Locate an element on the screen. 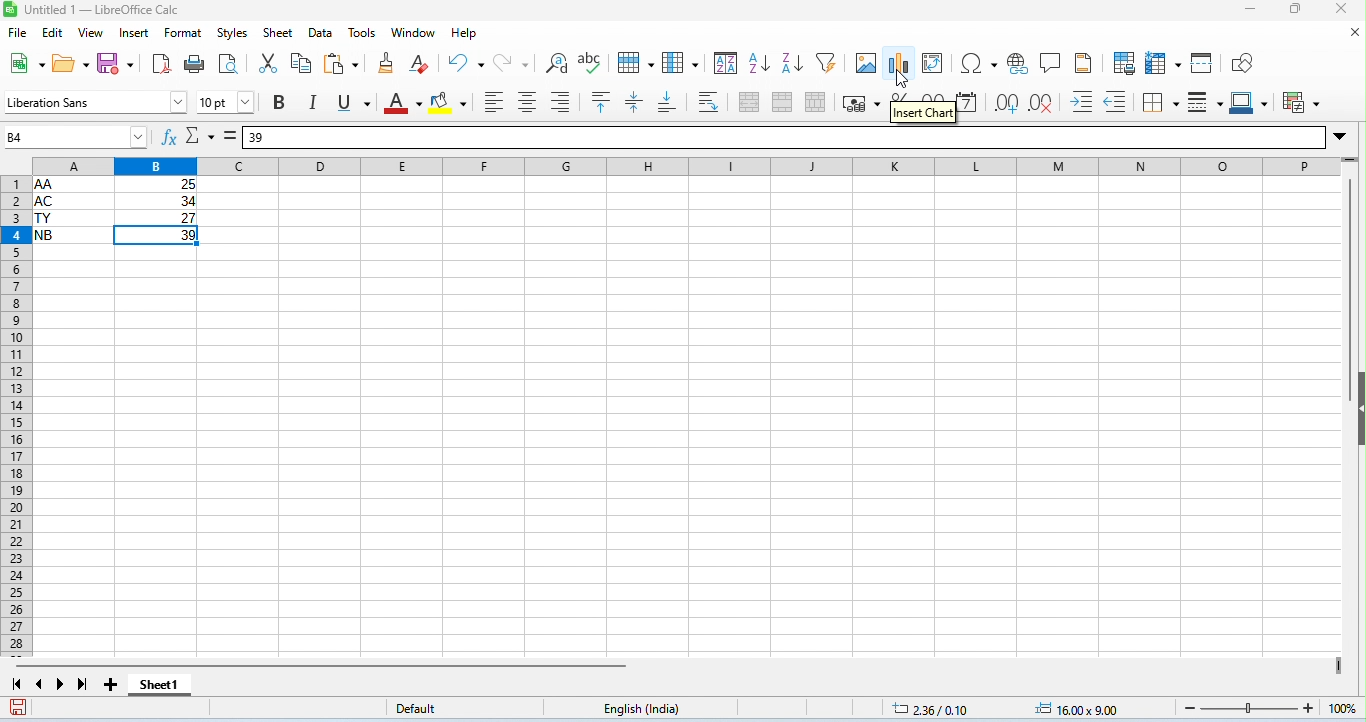  filter is located at coordinates (828, 64).